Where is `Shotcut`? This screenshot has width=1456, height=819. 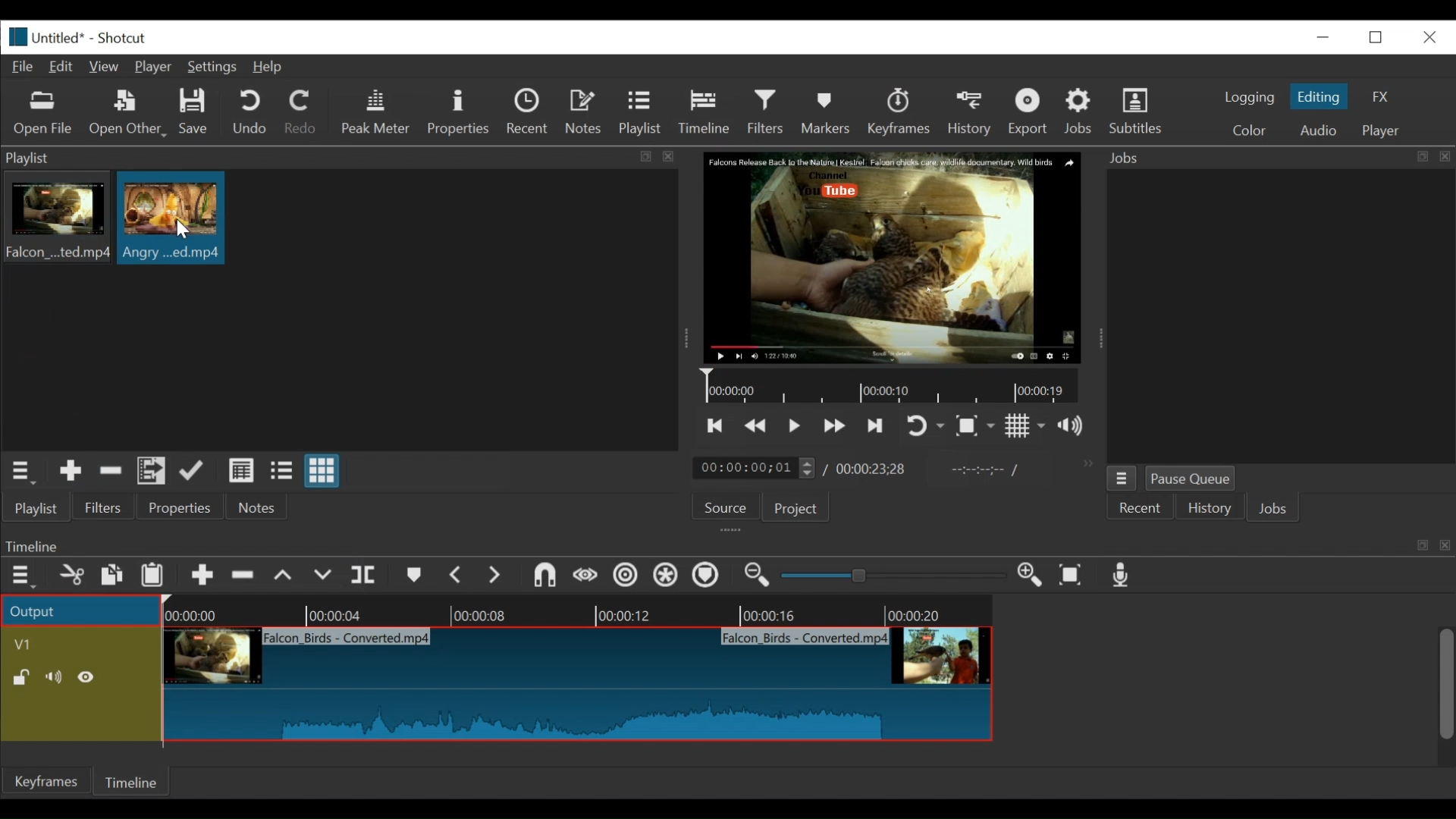 Shotcut is located at coordinates (121, 39).